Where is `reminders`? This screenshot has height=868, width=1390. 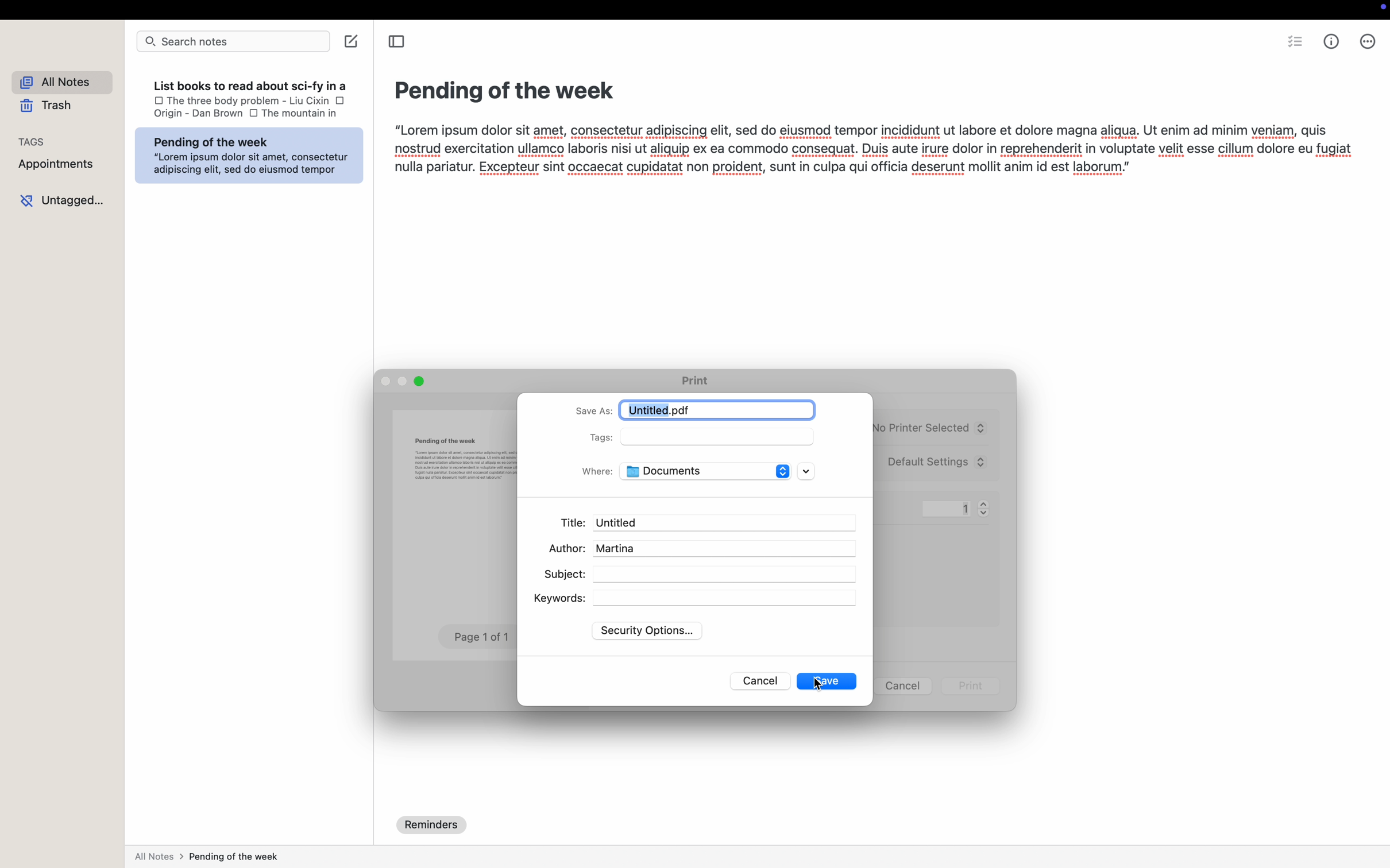
reminders is located at coordinates (433, 824).